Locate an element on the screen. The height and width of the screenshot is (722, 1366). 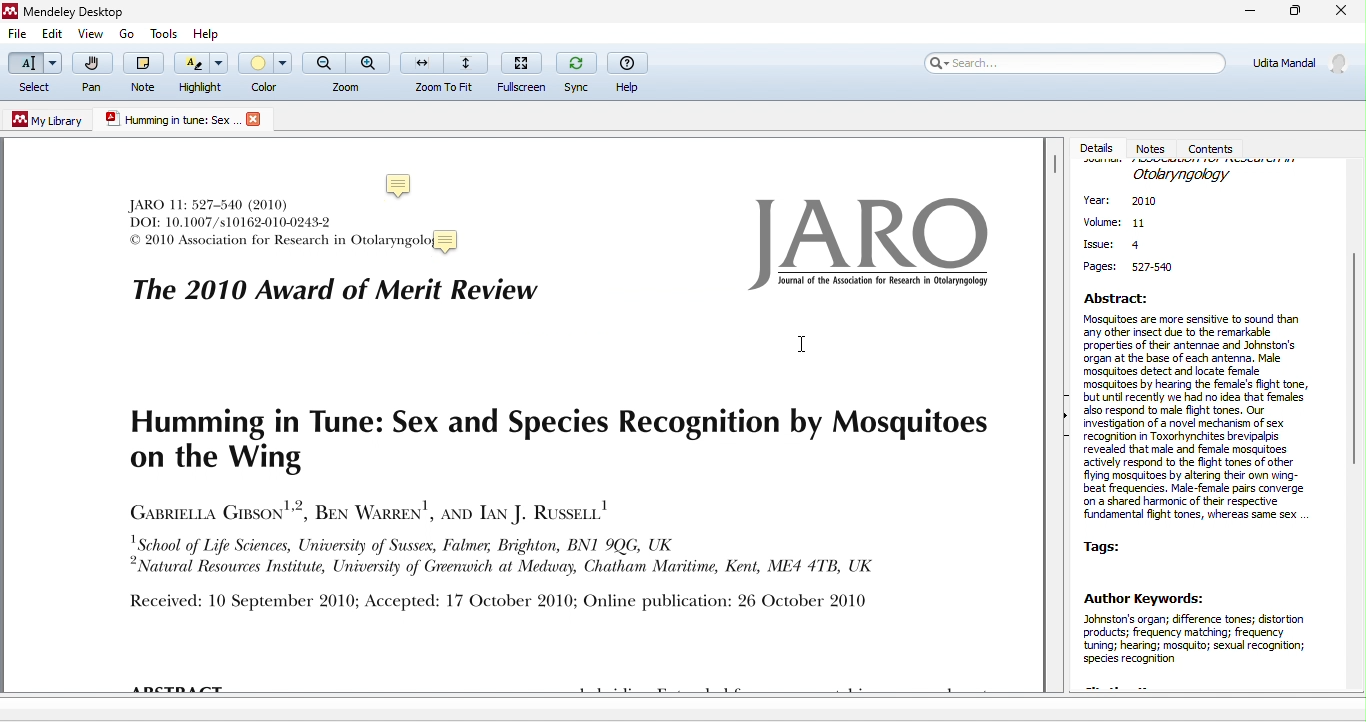
tags is located at coordinates (1111, 546).